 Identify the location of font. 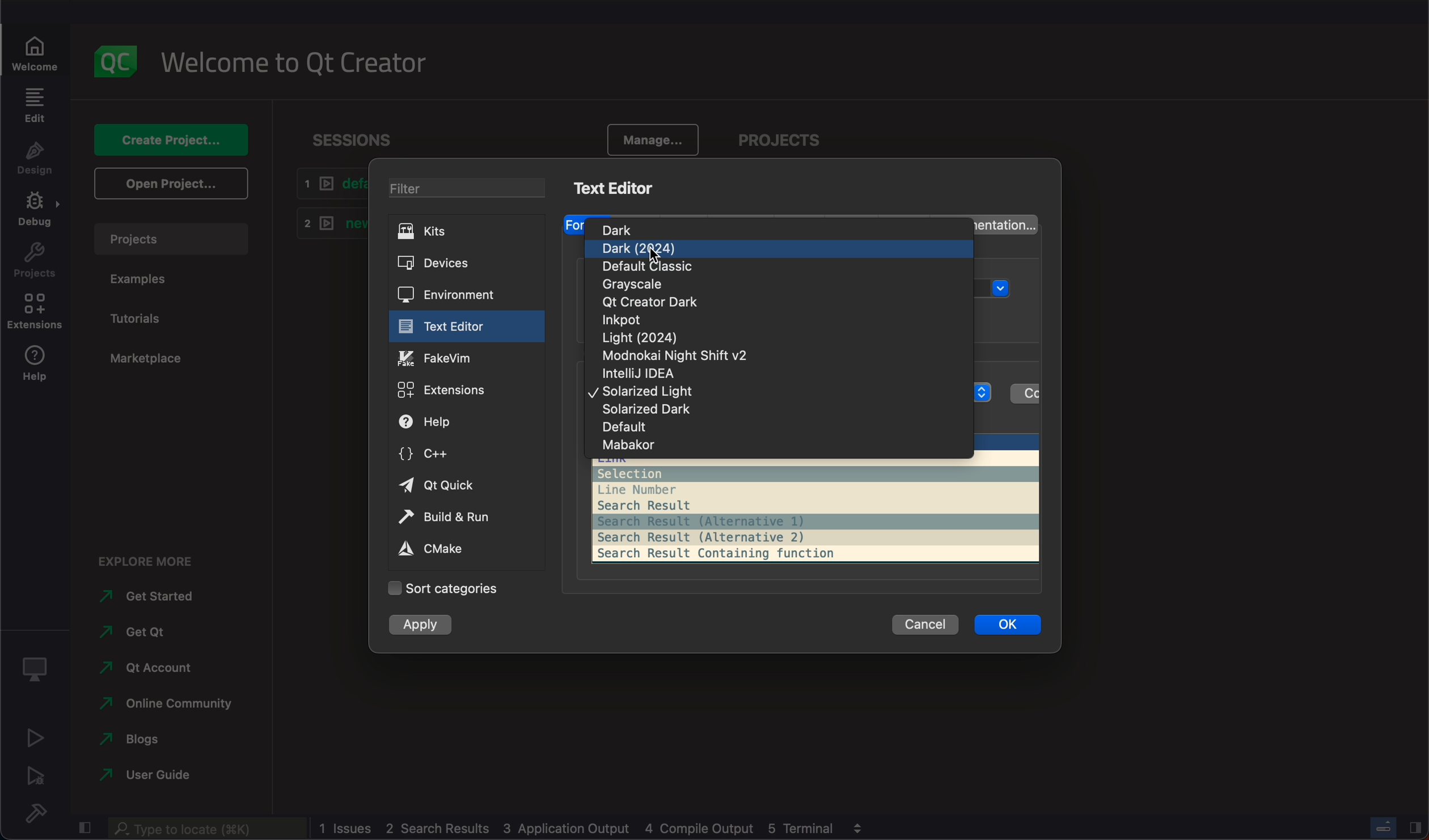
(574, 223).